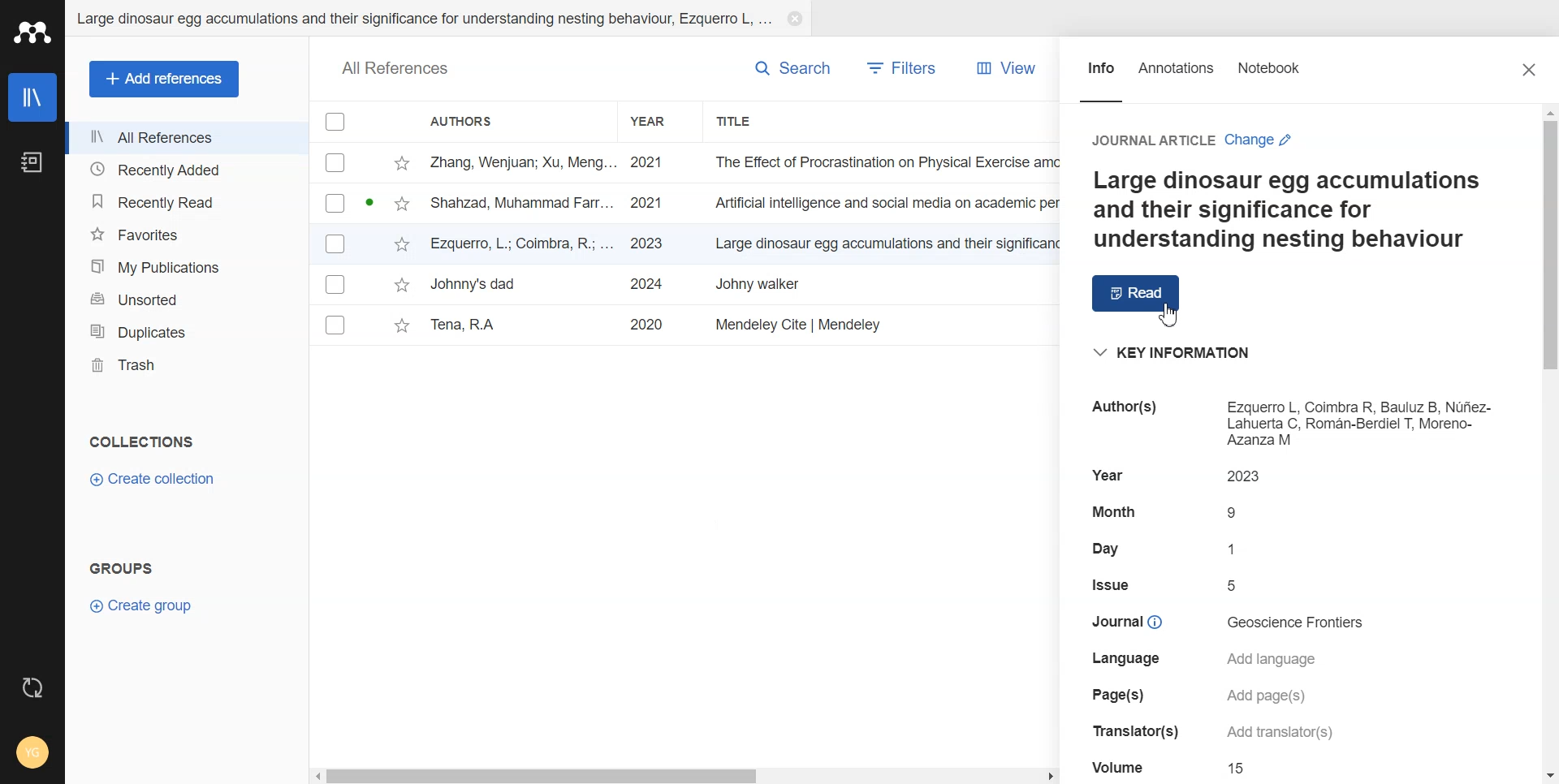  What do you see at coordinates (469, 123) in the screenshot?
I see `Authors` at bounding box center [469, 123].